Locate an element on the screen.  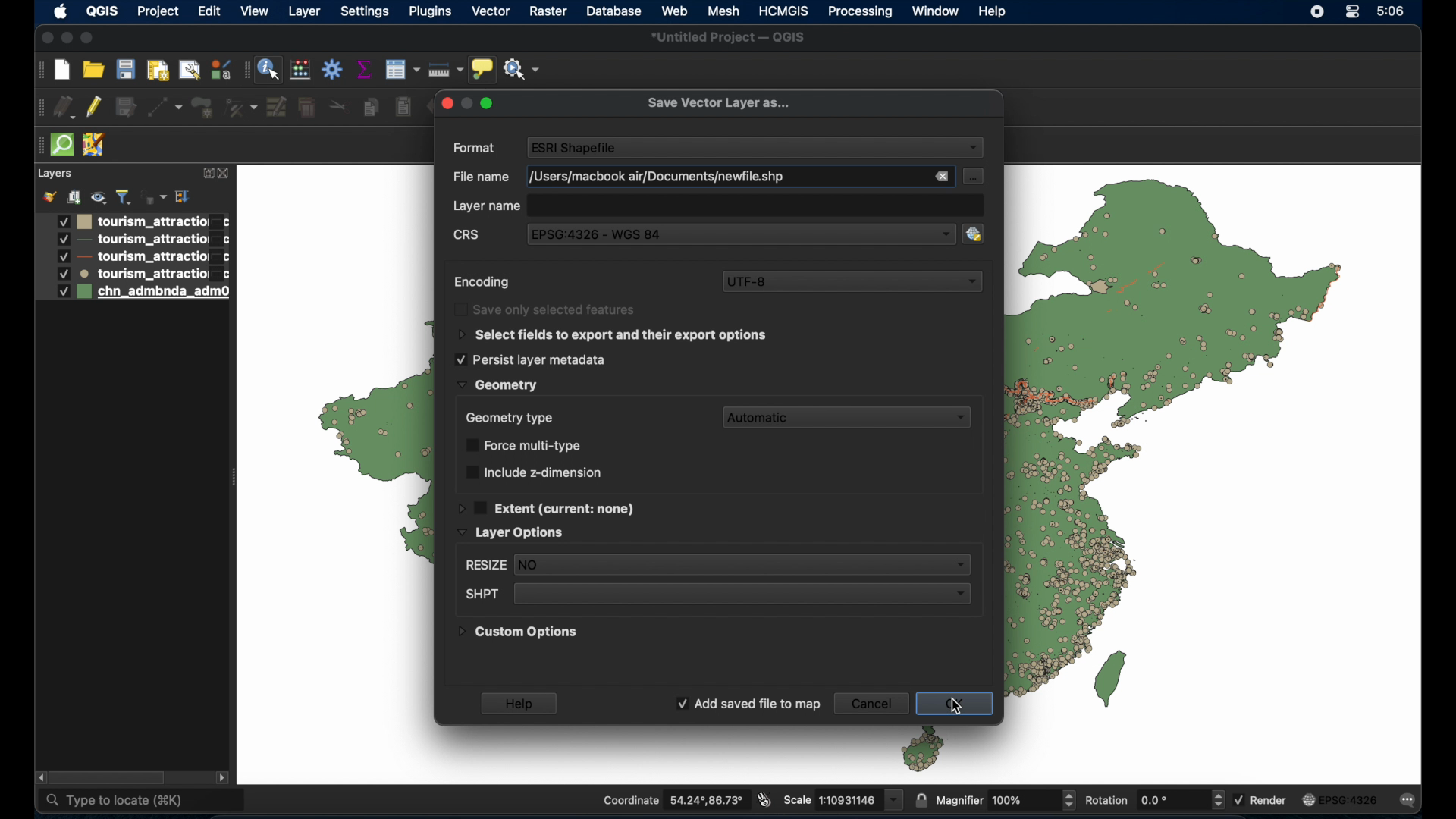
view is located at coordinates (256, 12).